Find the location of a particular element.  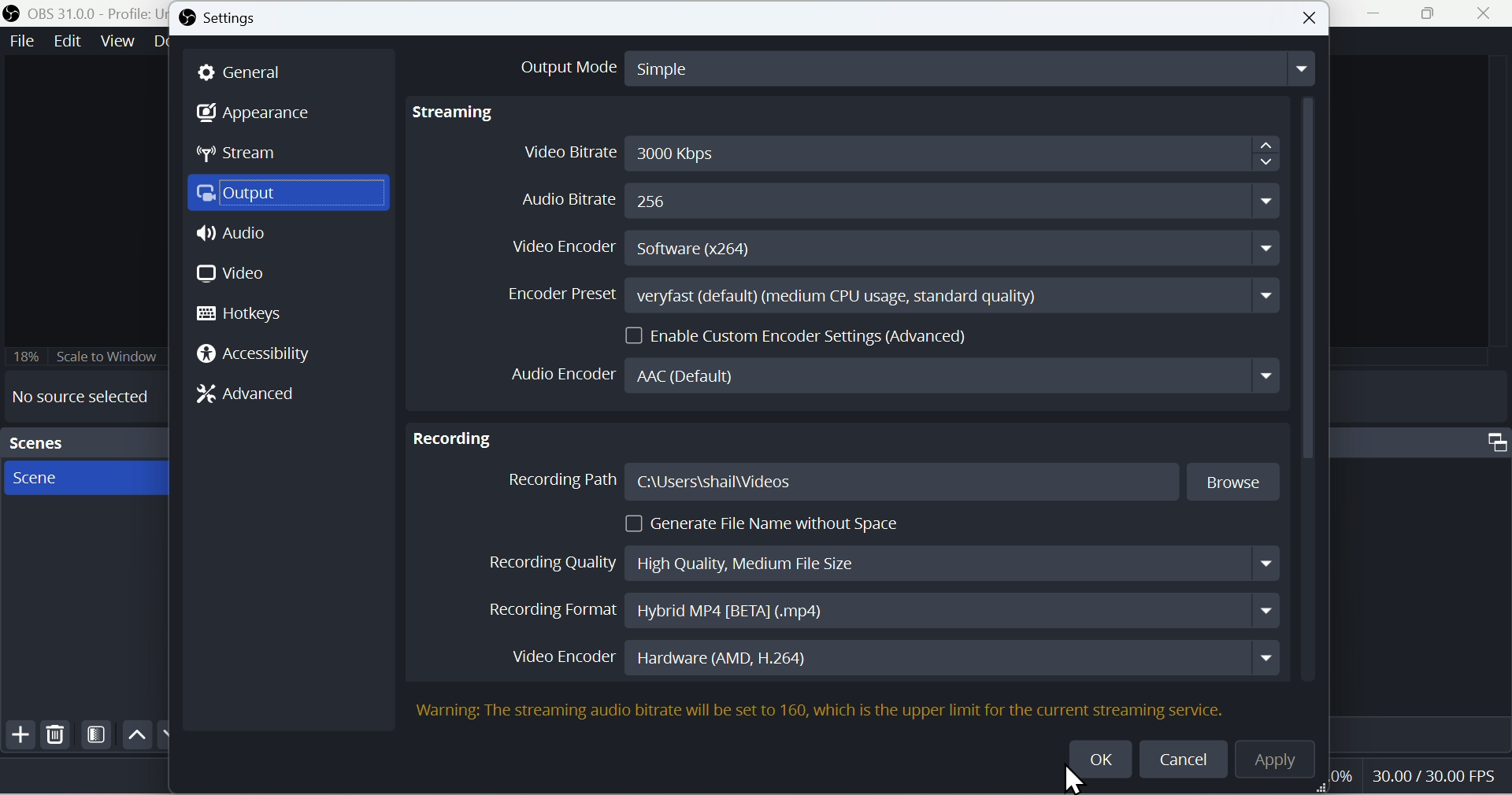

Video is located at coordinates (232, 273).